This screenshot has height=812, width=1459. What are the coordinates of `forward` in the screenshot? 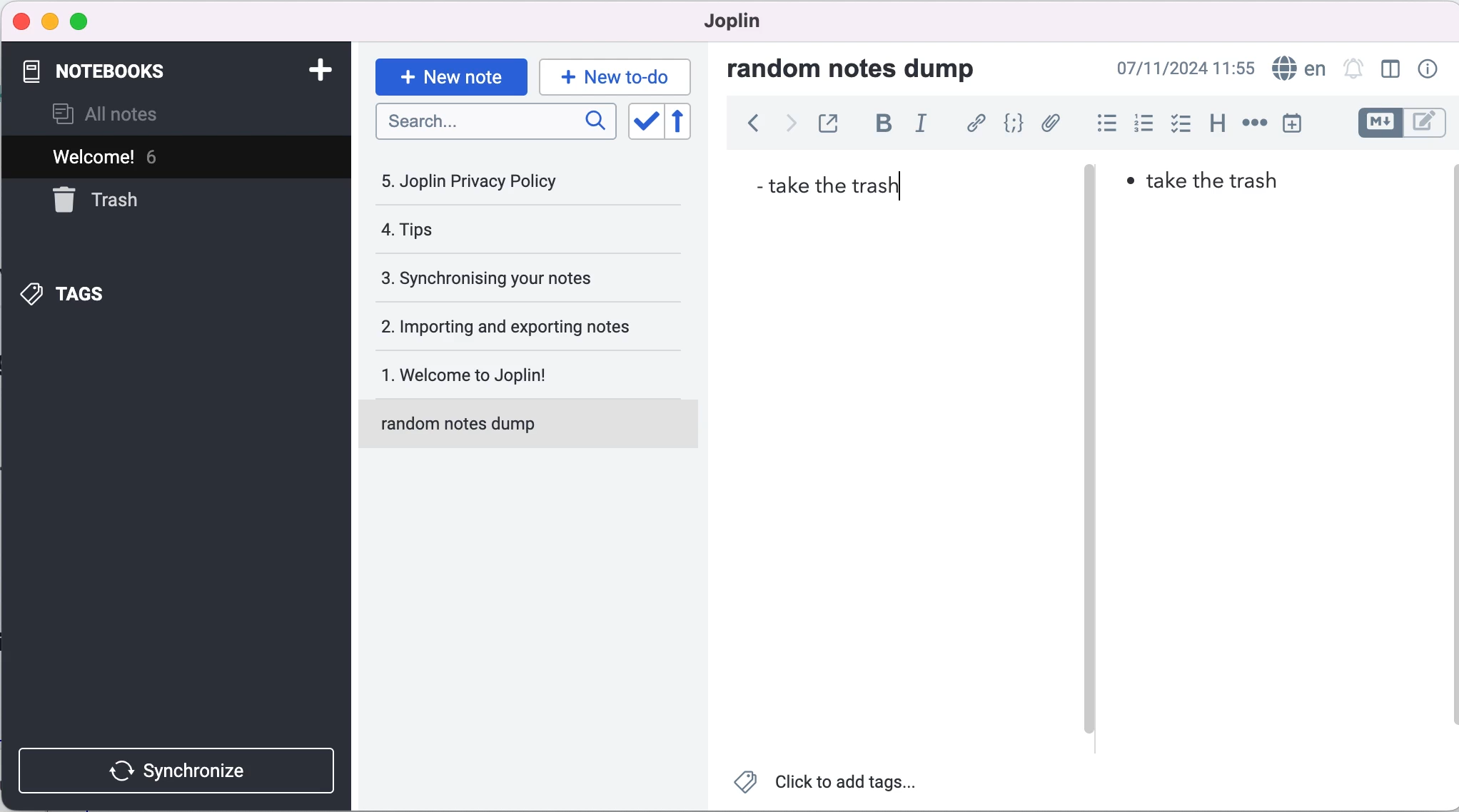 It's located at (786, 127).